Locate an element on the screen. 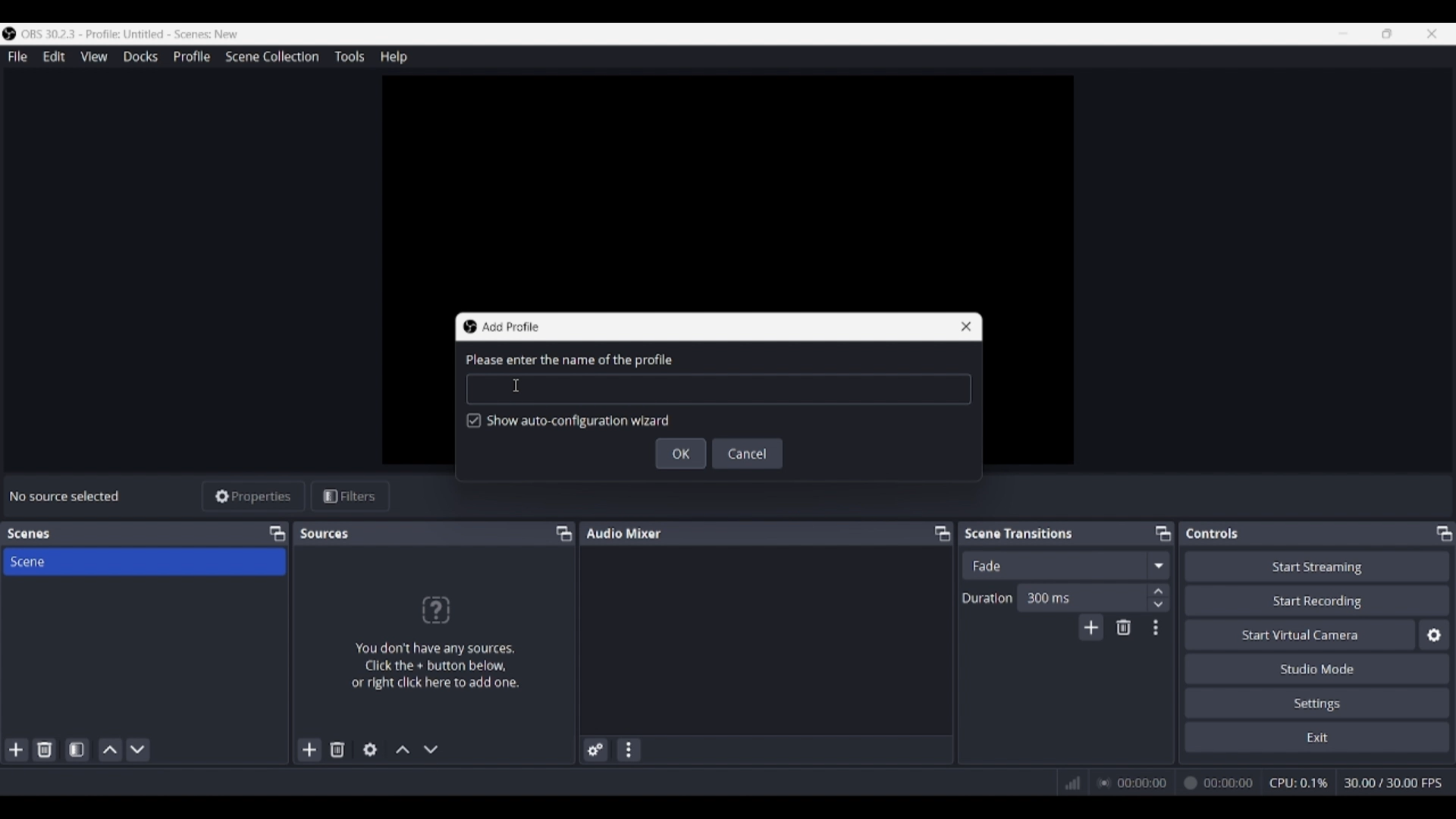 This screenshot has width=1456, height=819. Cursor is located at coordinates (518, 384).